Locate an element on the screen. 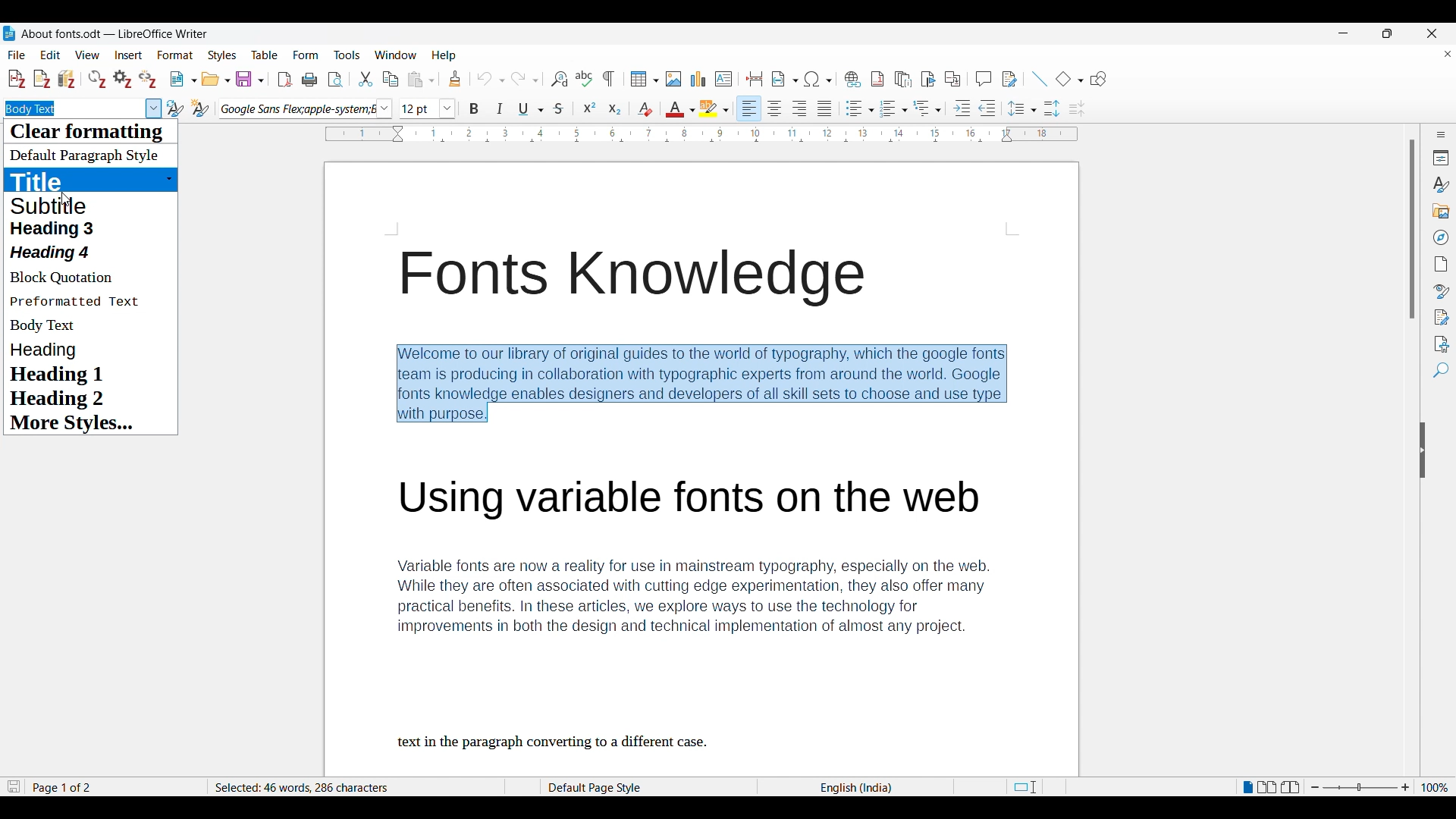 The image size is (1456, 819). Toggle unordered list is located at coordinates (860, 108).